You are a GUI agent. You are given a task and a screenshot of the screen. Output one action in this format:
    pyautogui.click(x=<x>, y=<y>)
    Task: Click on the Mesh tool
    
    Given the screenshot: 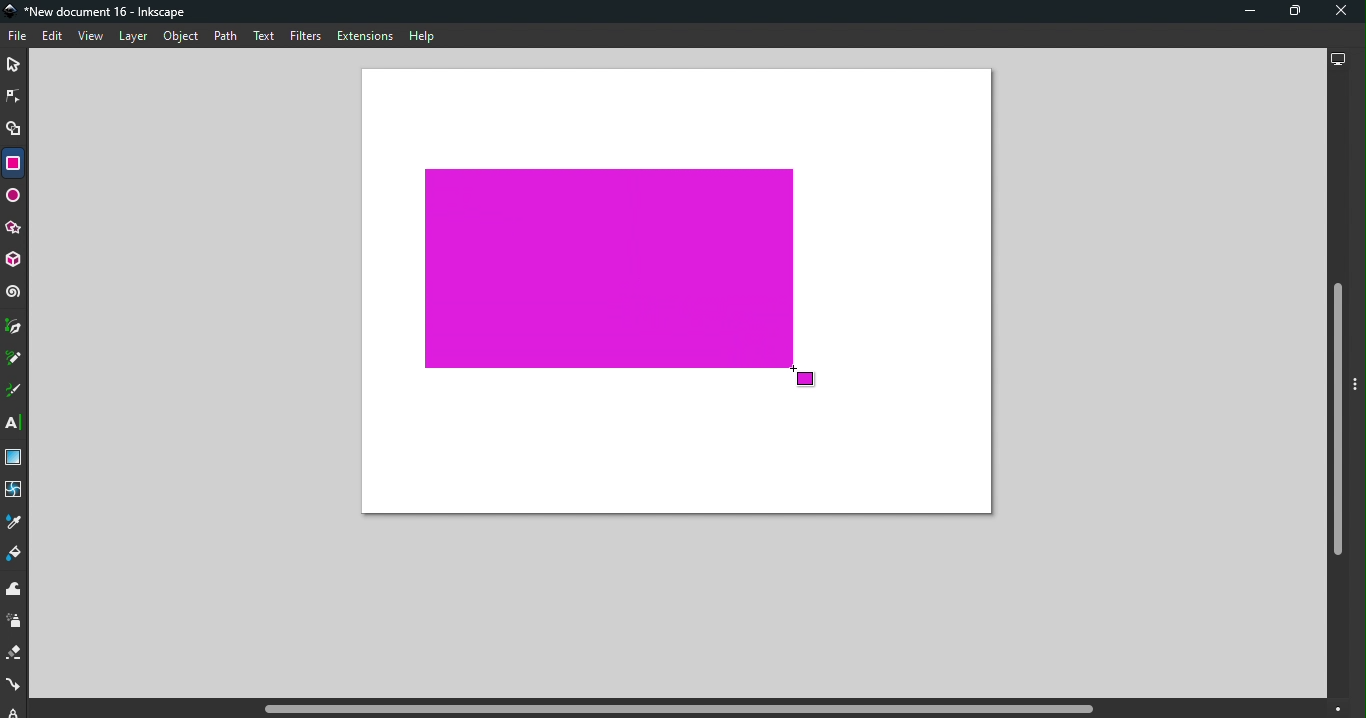 What is the action you would take?
    pyautogui.click(x=15, y=491)
    